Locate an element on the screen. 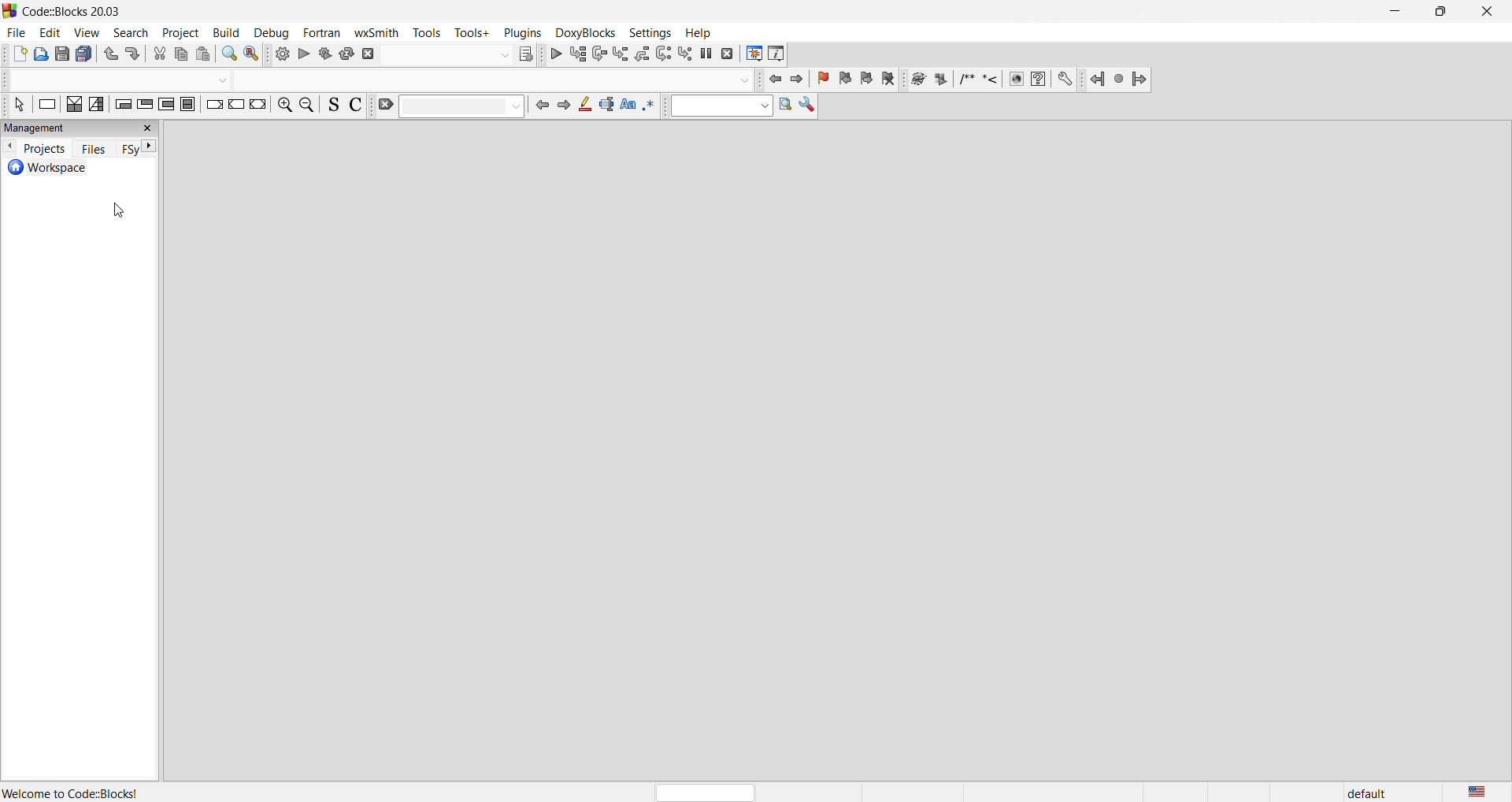 The width and height of the screenshot is (1512, 802). next bookmark is located at coordinates (866, 82).